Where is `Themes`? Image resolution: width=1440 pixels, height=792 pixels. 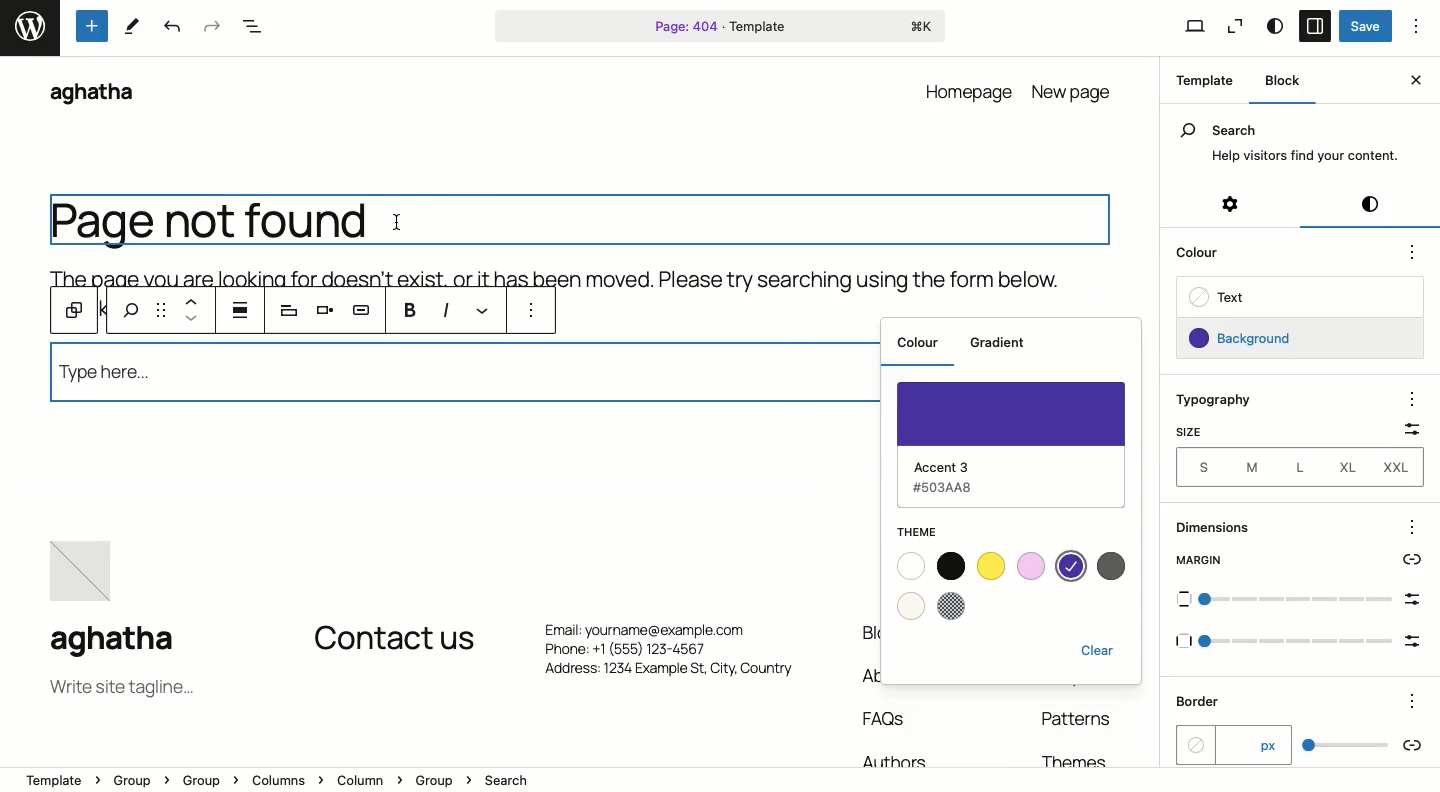
Themes is located at coordinates (1080, 758).